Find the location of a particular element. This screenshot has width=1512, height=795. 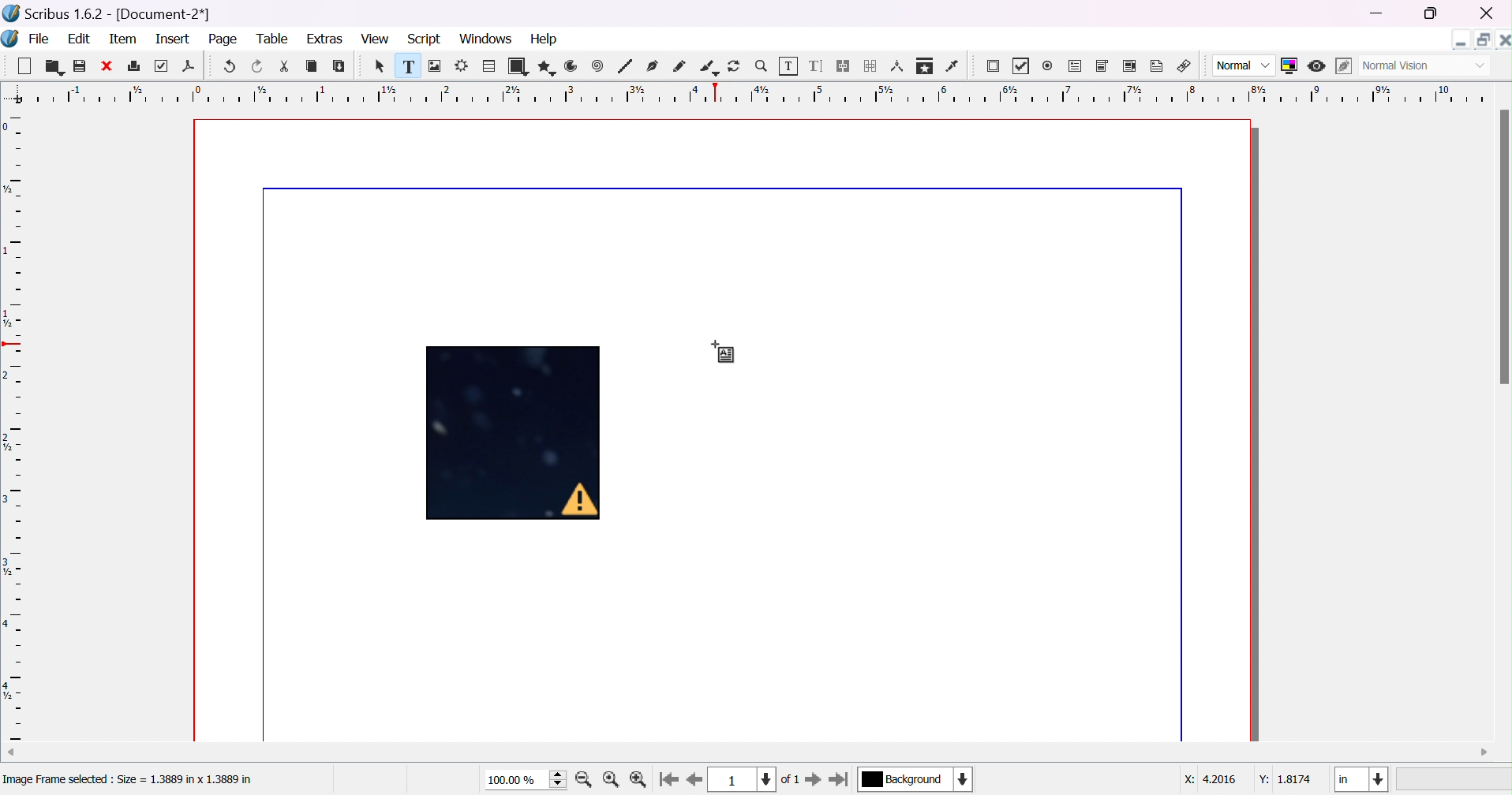

copy item properties is located at coordinates (924, 65).